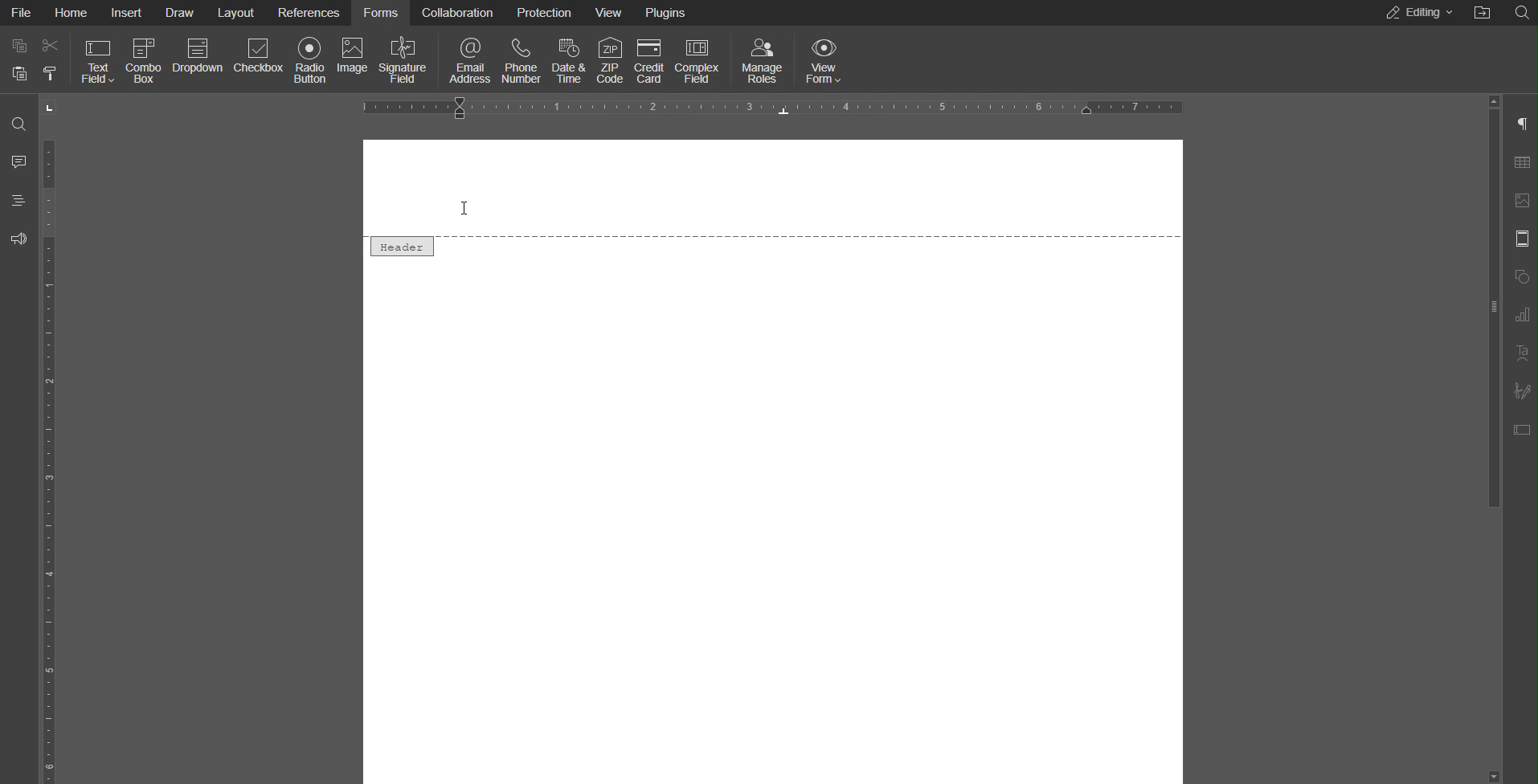 Image resolution: width=1538 pixels, height=784 pixels. I want to click on File , so click(19, 12).